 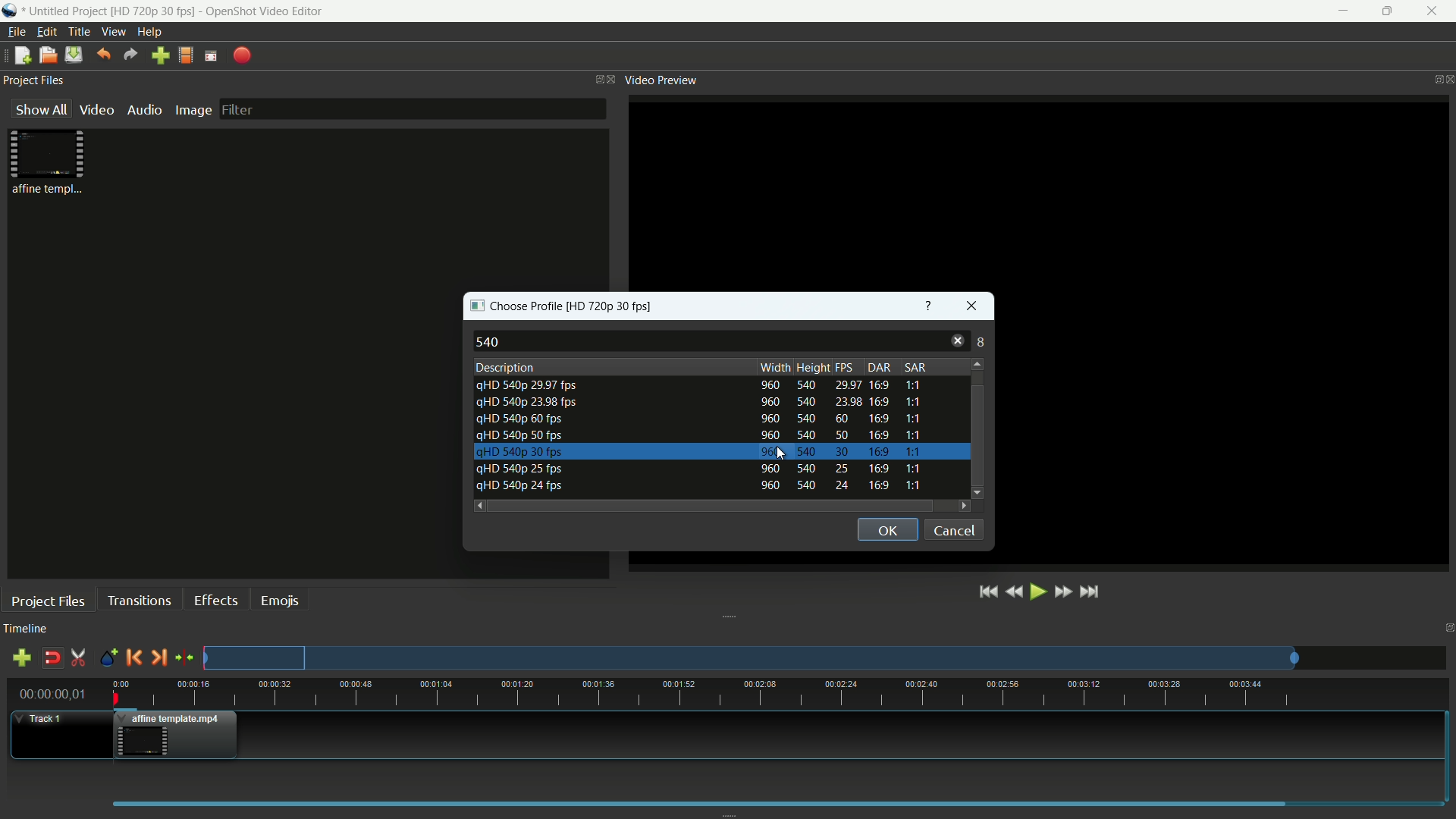 I want to click on profile, so click(x=613, y=308).